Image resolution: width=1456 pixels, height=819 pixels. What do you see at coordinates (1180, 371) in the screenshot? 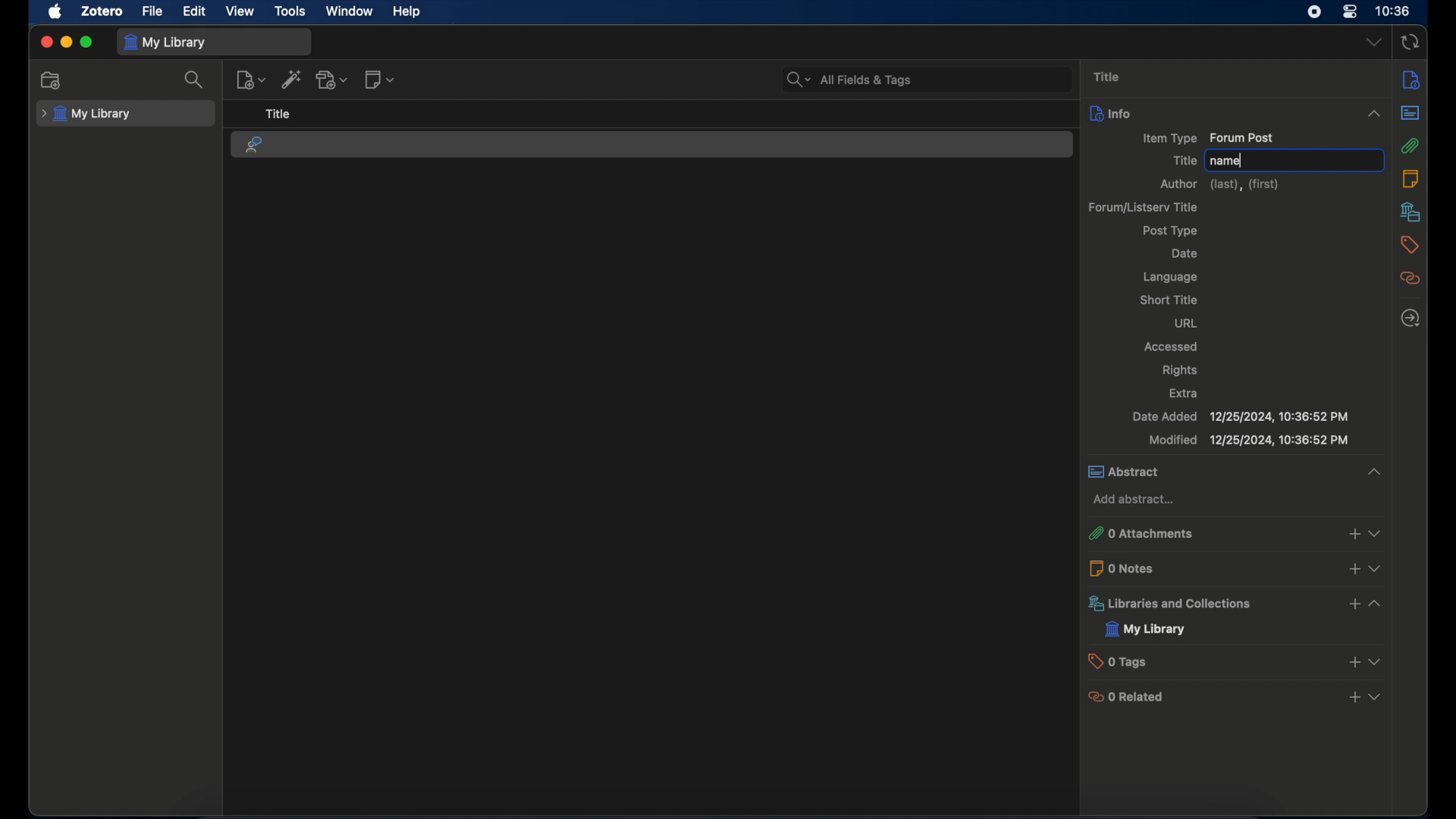
I see `rights` at bounding box center [1180, 371].